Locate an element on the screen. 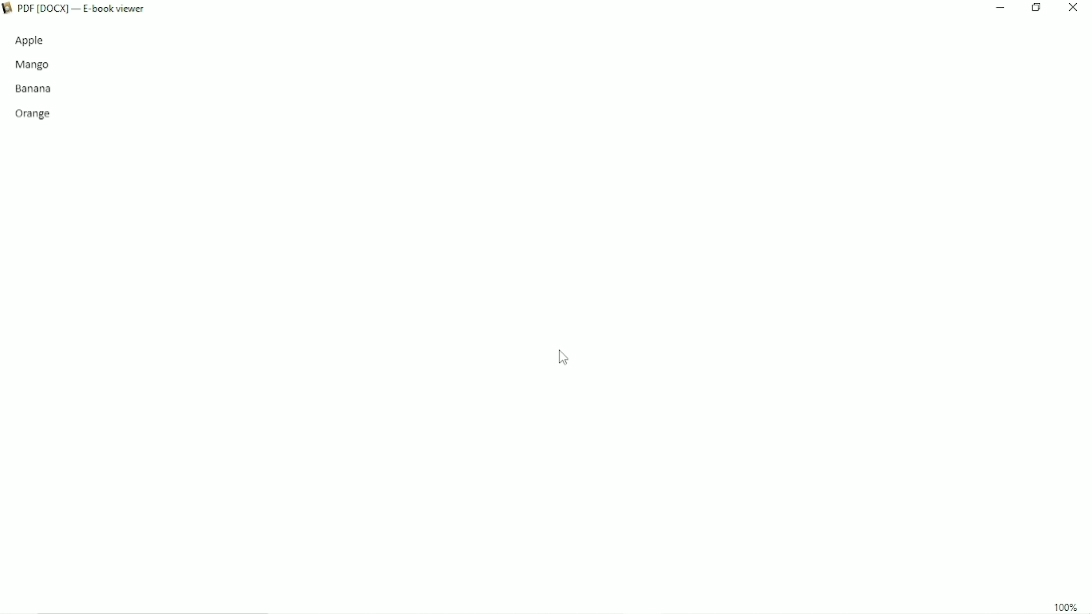 This screenshot has height=614, width=1092. Apple is located at coordinates (37, 40).